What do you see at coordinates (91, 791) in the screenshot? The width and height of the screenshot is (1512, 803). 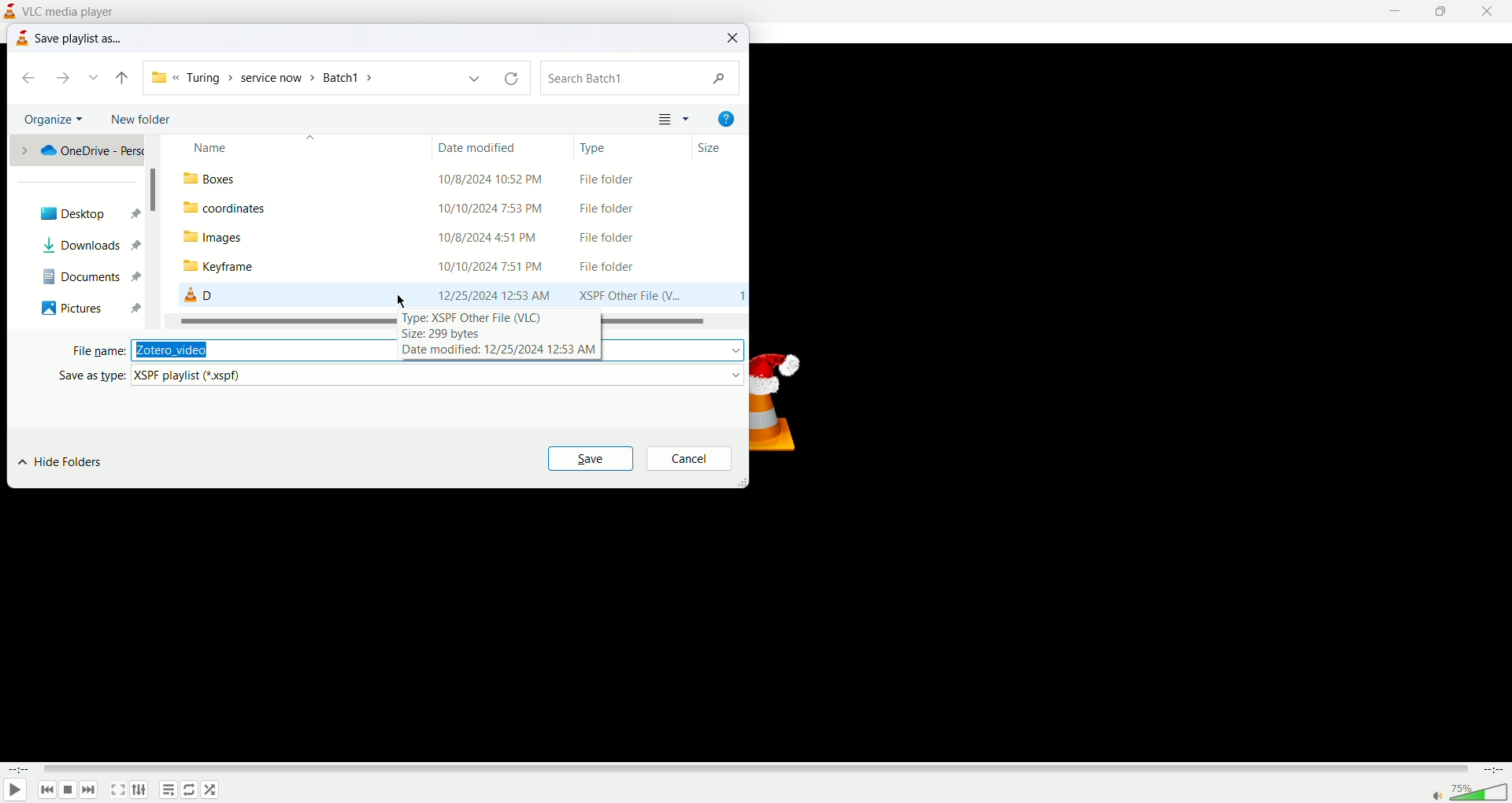 I see `next` at bounding box center [91, 791].